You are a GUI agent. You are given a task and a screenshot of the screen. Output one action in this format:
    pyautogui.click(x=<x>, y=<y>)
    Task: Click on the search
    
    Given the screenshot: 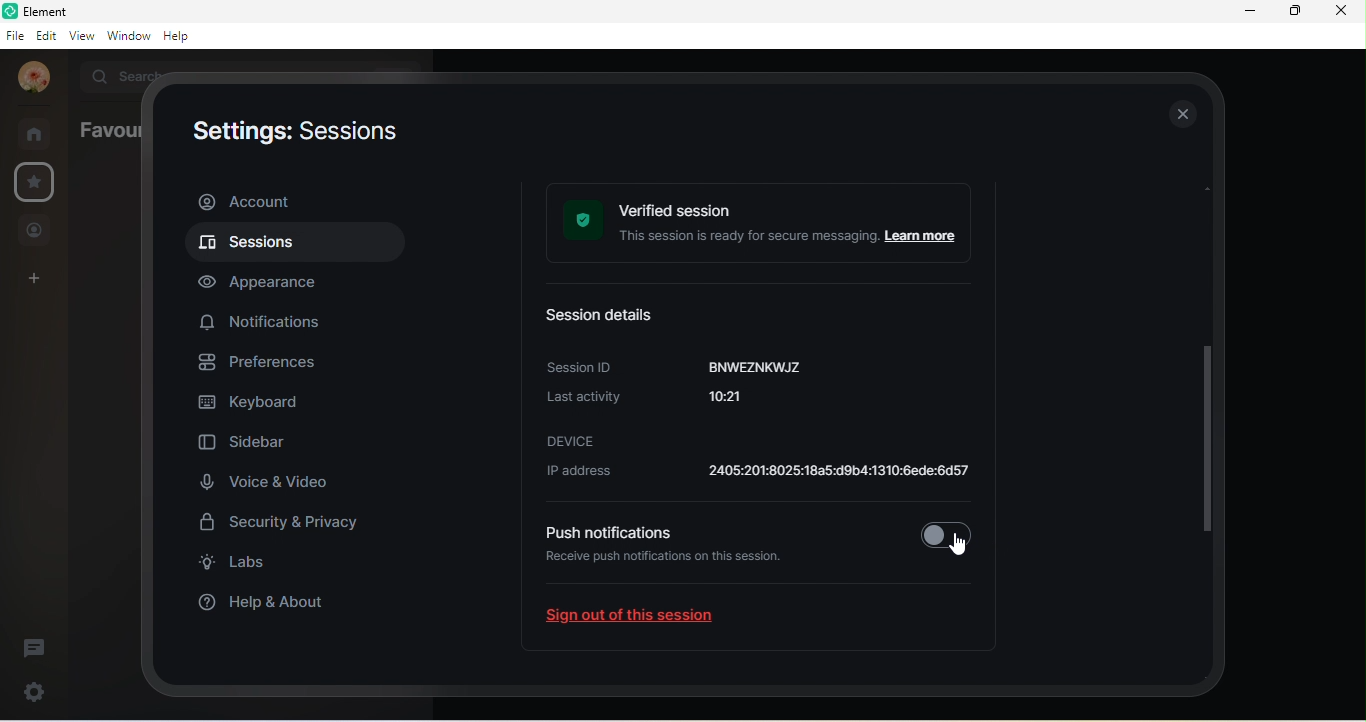 What is the action you would take?
    pyautogui.click(x=119, y=74)
    